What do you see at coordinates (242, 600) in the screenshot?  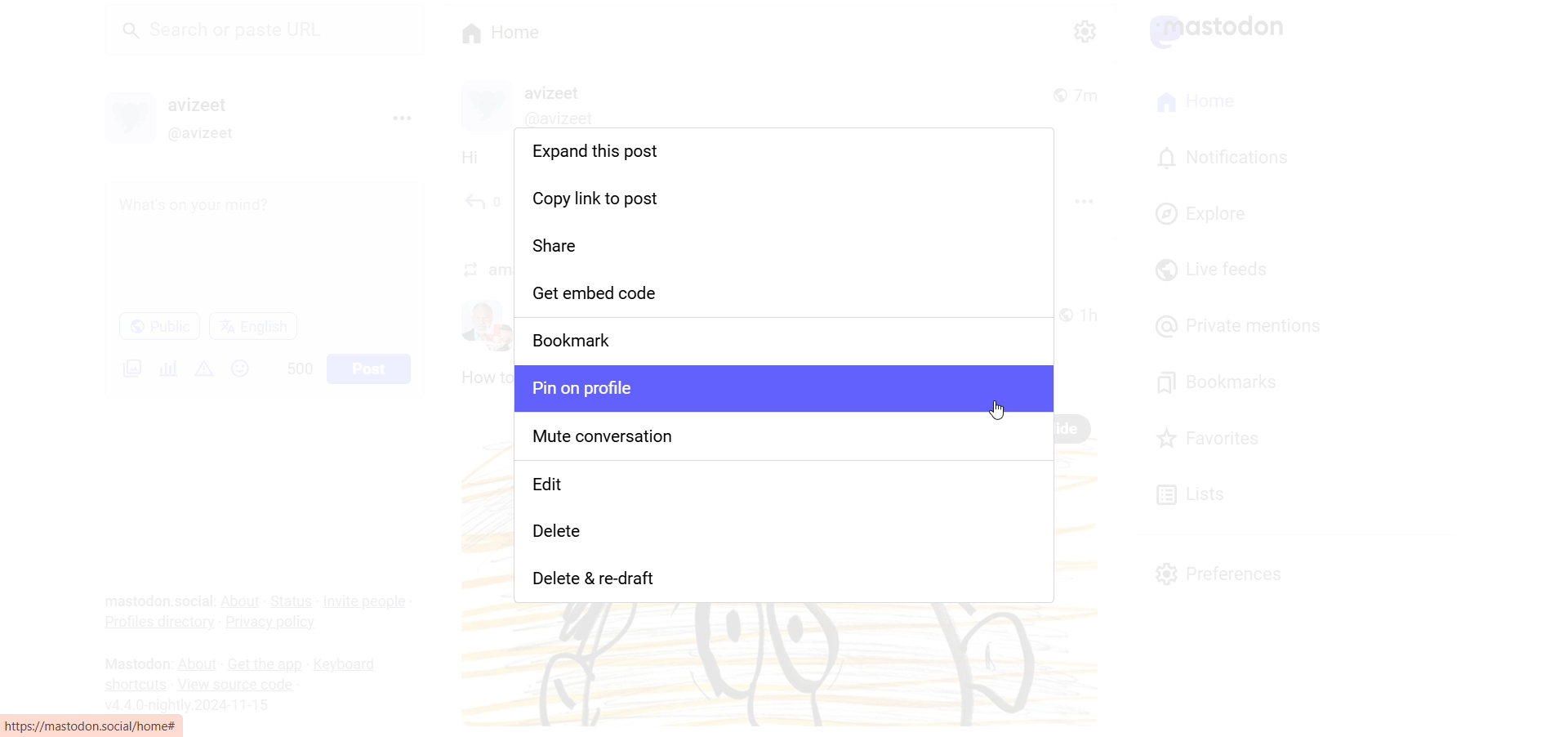 I see `About` at bounding box center [242, 600].